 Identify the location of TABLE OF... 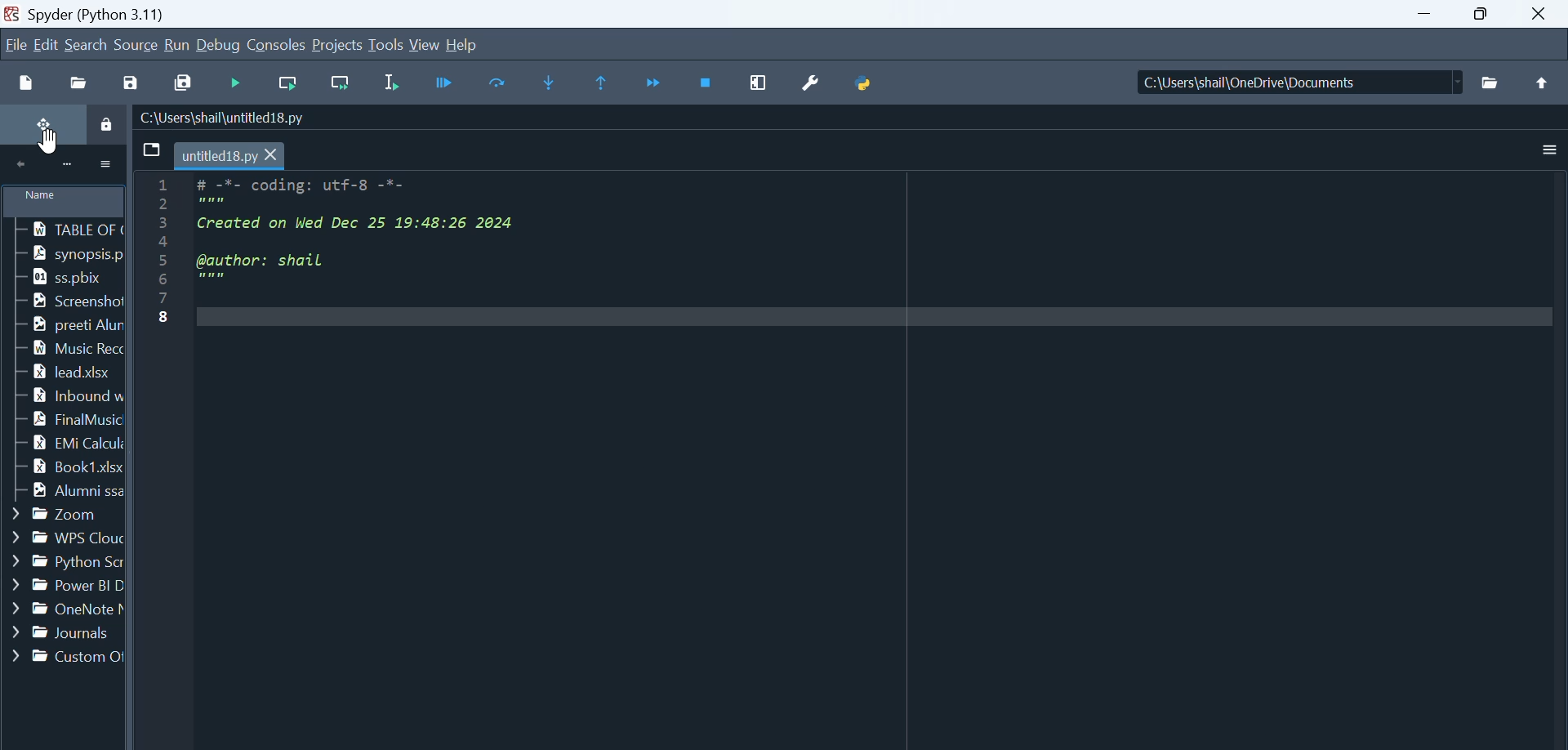
(59, 230).